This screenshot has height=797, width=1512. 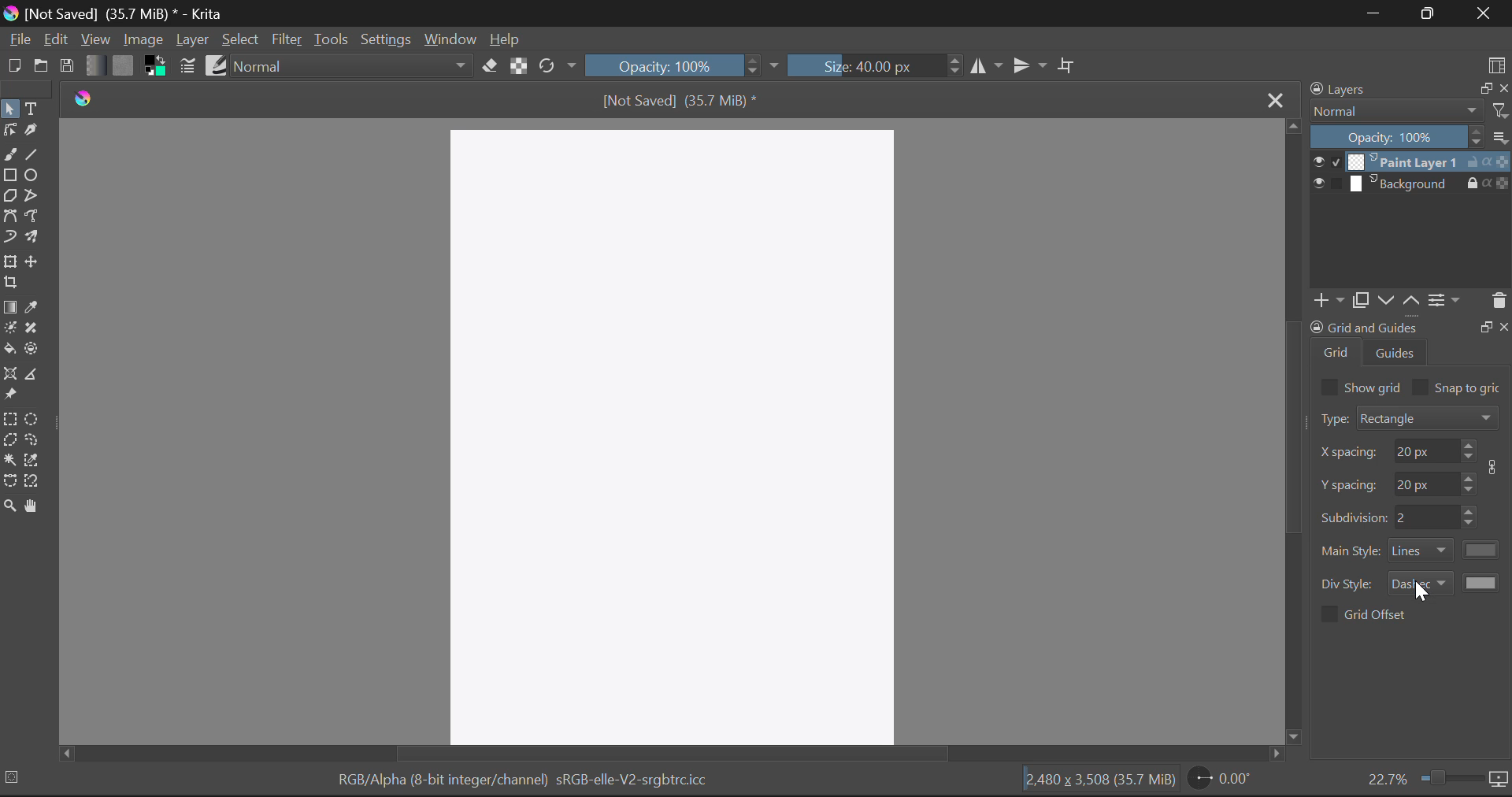 I want to click on Edit Shapes, so click(x=9, y=132).